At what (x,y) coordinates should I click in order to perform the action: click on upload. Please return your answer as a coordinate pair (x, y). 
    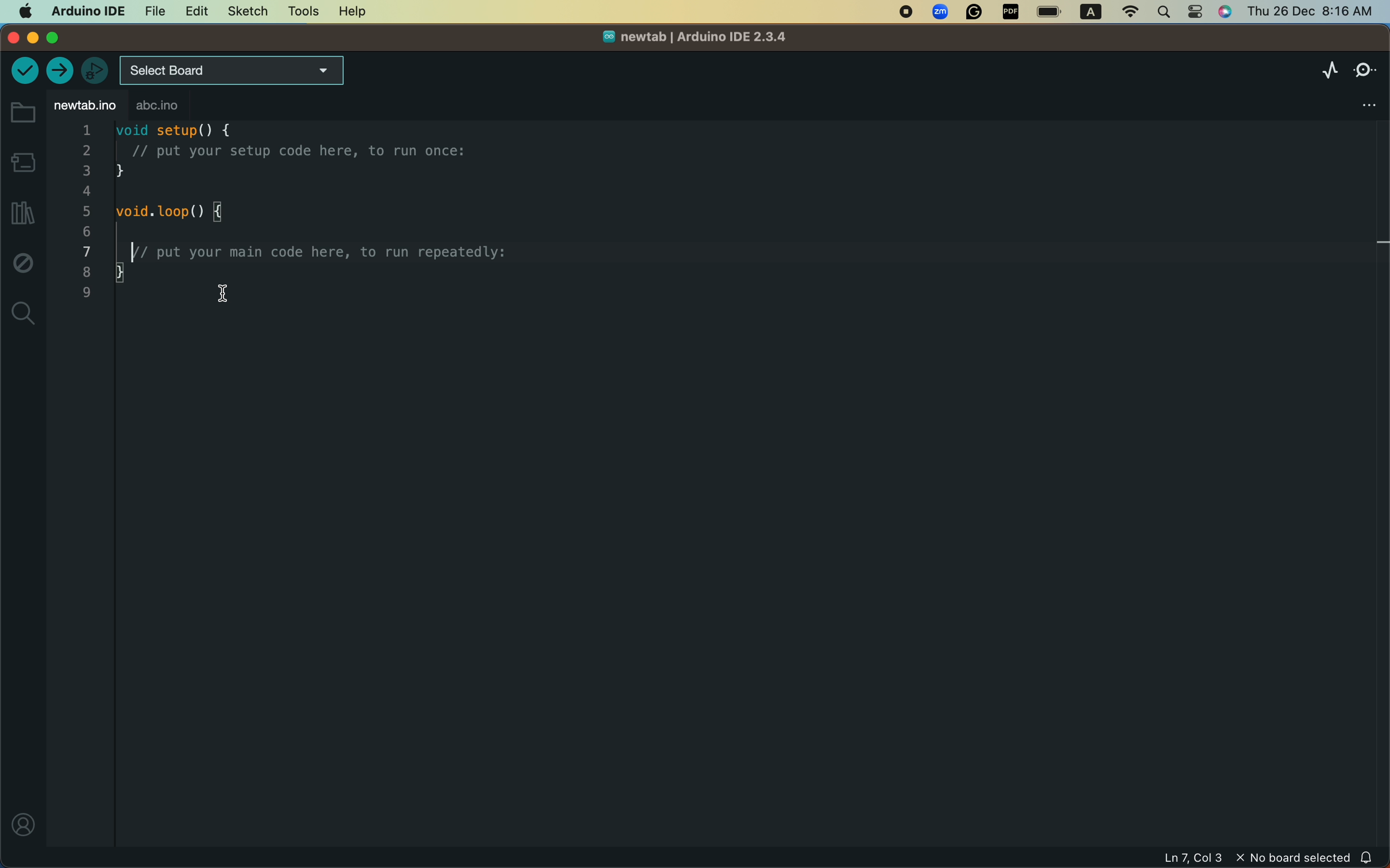
    Looking at the image, I should click on (61, 71).